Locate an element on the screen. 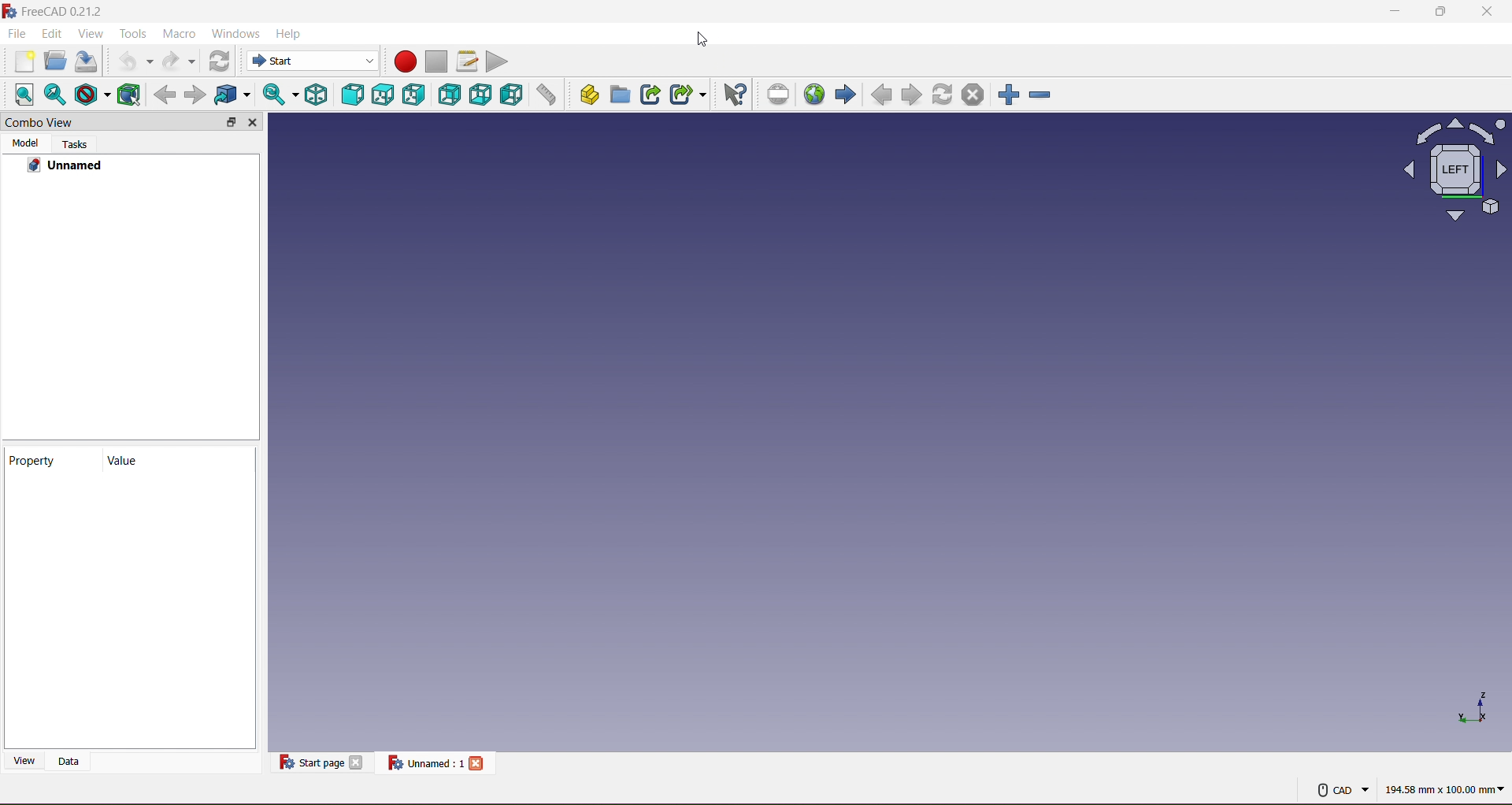 This screenshot has width=1512, height=805. Close is located at coordinates (476, 763).